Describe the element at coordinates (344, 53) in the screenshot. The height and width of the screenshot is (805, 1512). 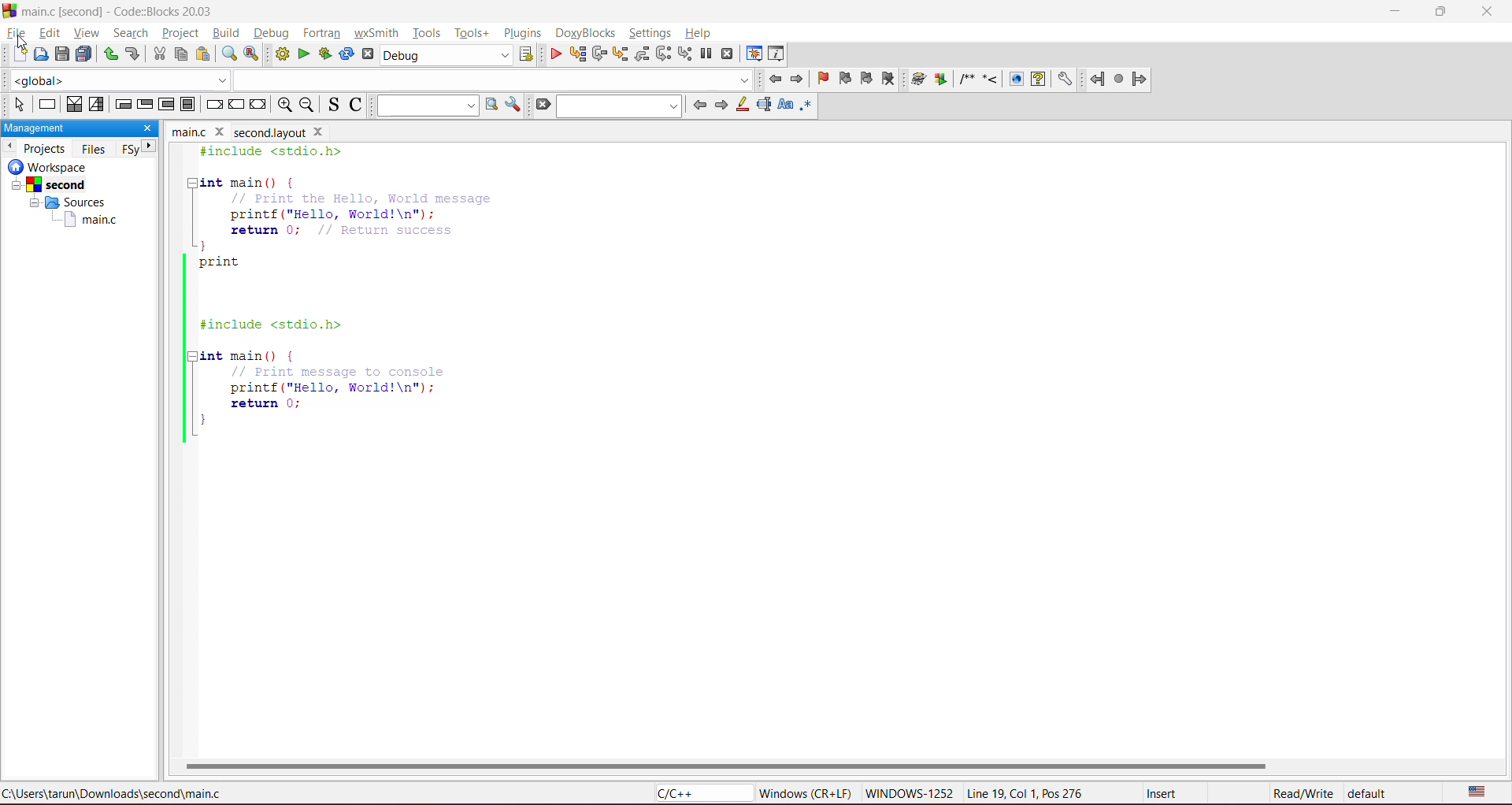
I see `rebuild` at that location.